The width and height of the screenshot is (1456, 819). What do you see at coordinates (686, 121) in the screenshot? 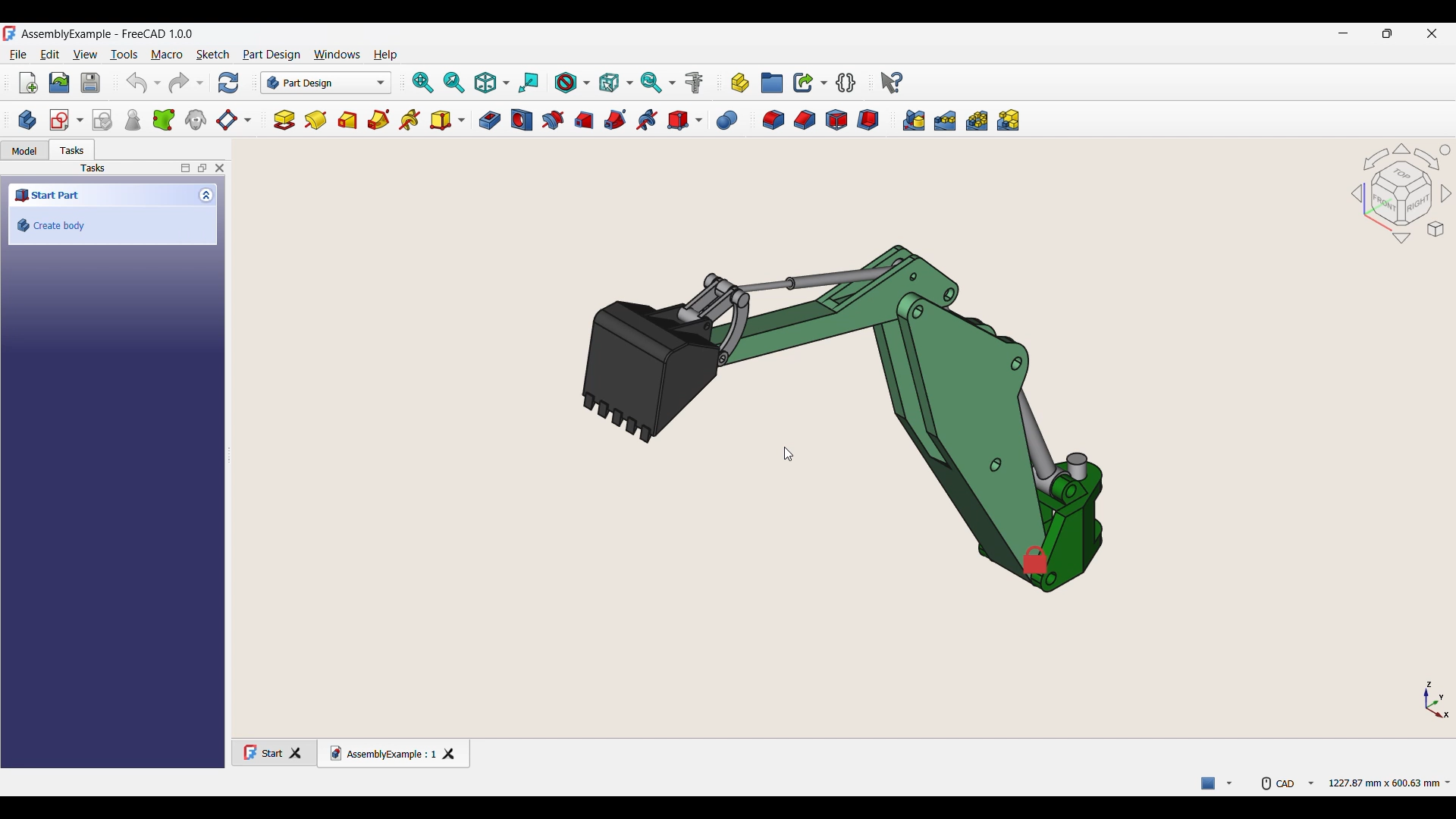
I see `Create a subtractive primitive` at bounding box center [686, 121].